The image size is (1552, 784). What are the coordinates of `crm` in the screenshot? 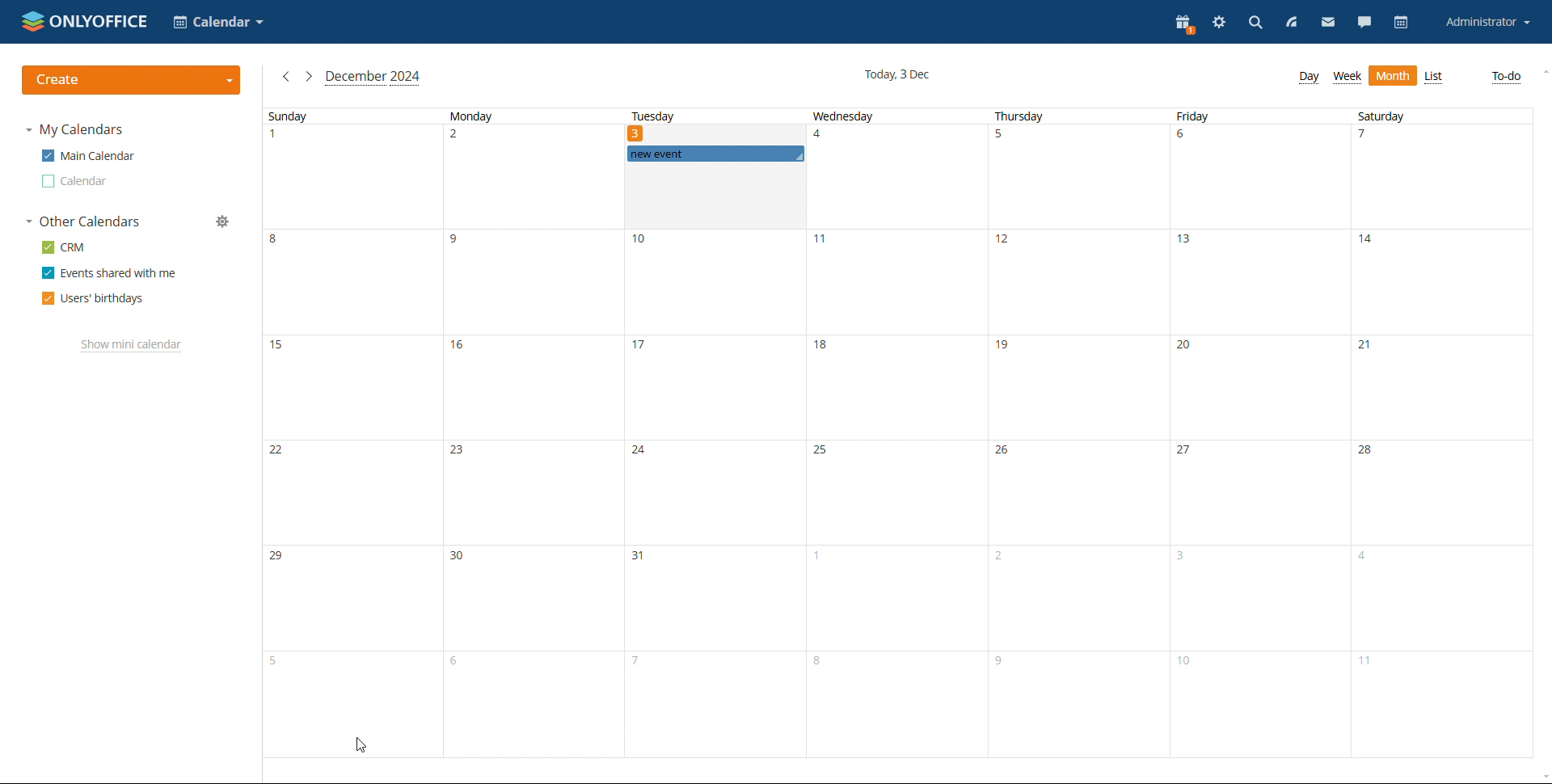 It's located at (62, 248).